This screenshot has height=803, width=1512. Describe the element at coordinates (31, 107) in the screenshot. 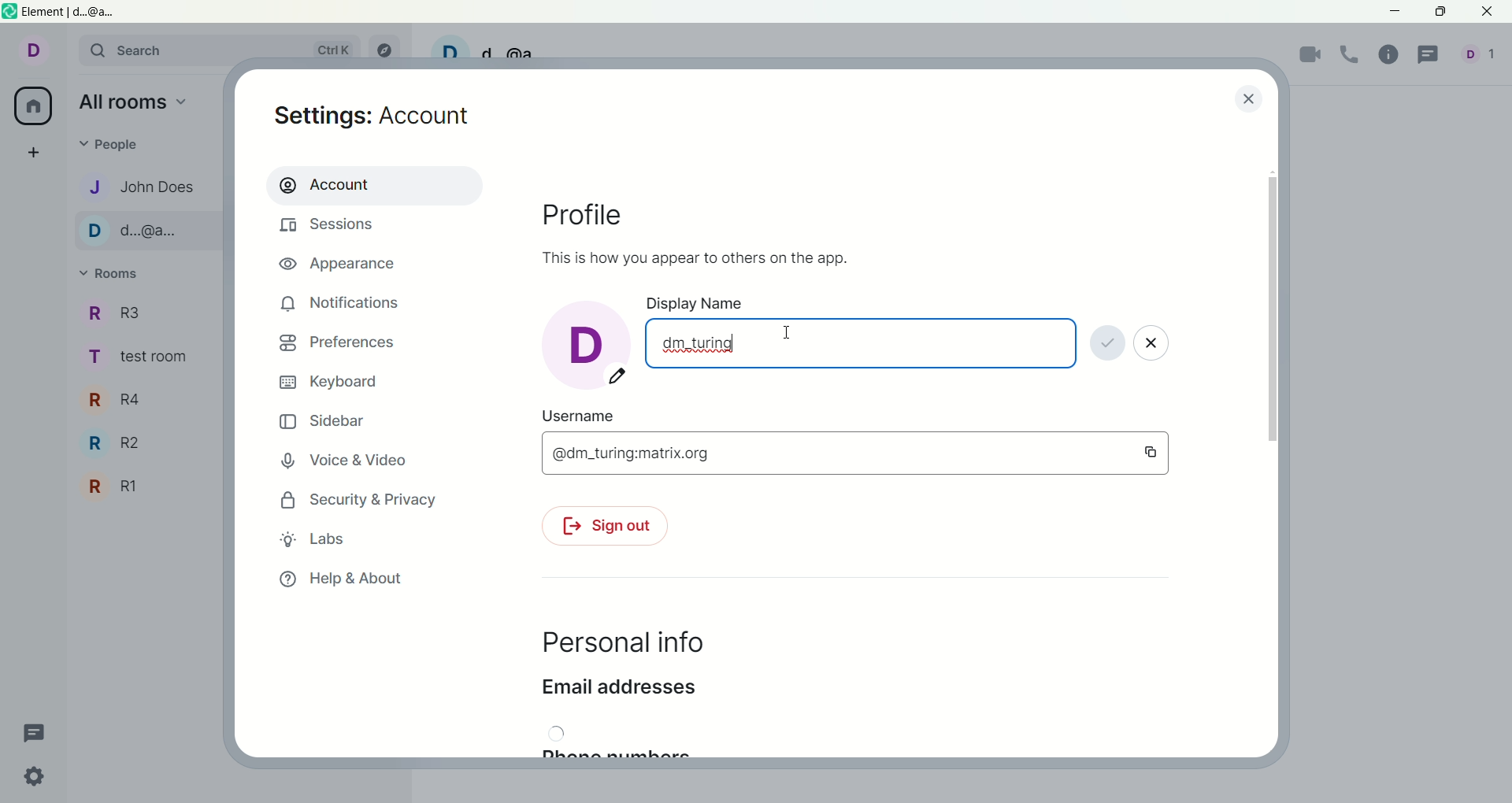

I see `all room` at that location.